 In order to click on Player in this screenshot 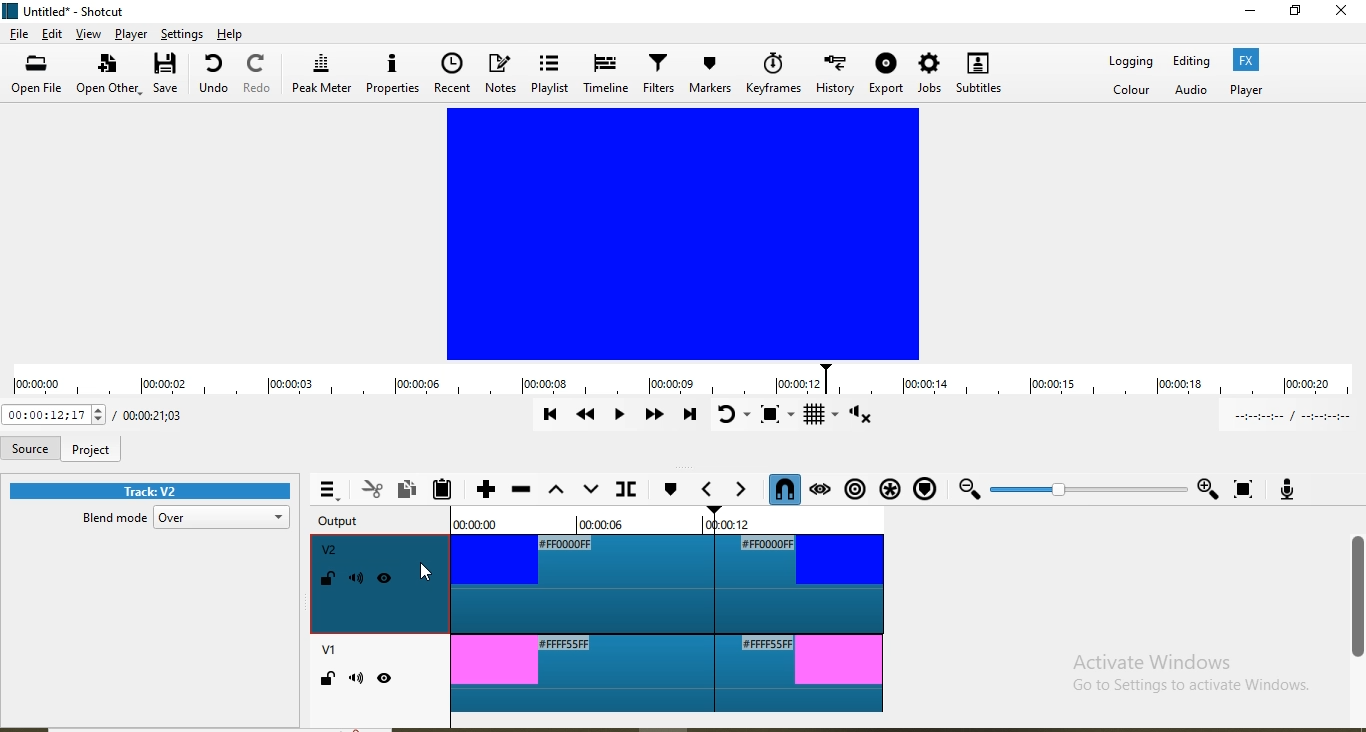, I will do `click(1243, 90)`.